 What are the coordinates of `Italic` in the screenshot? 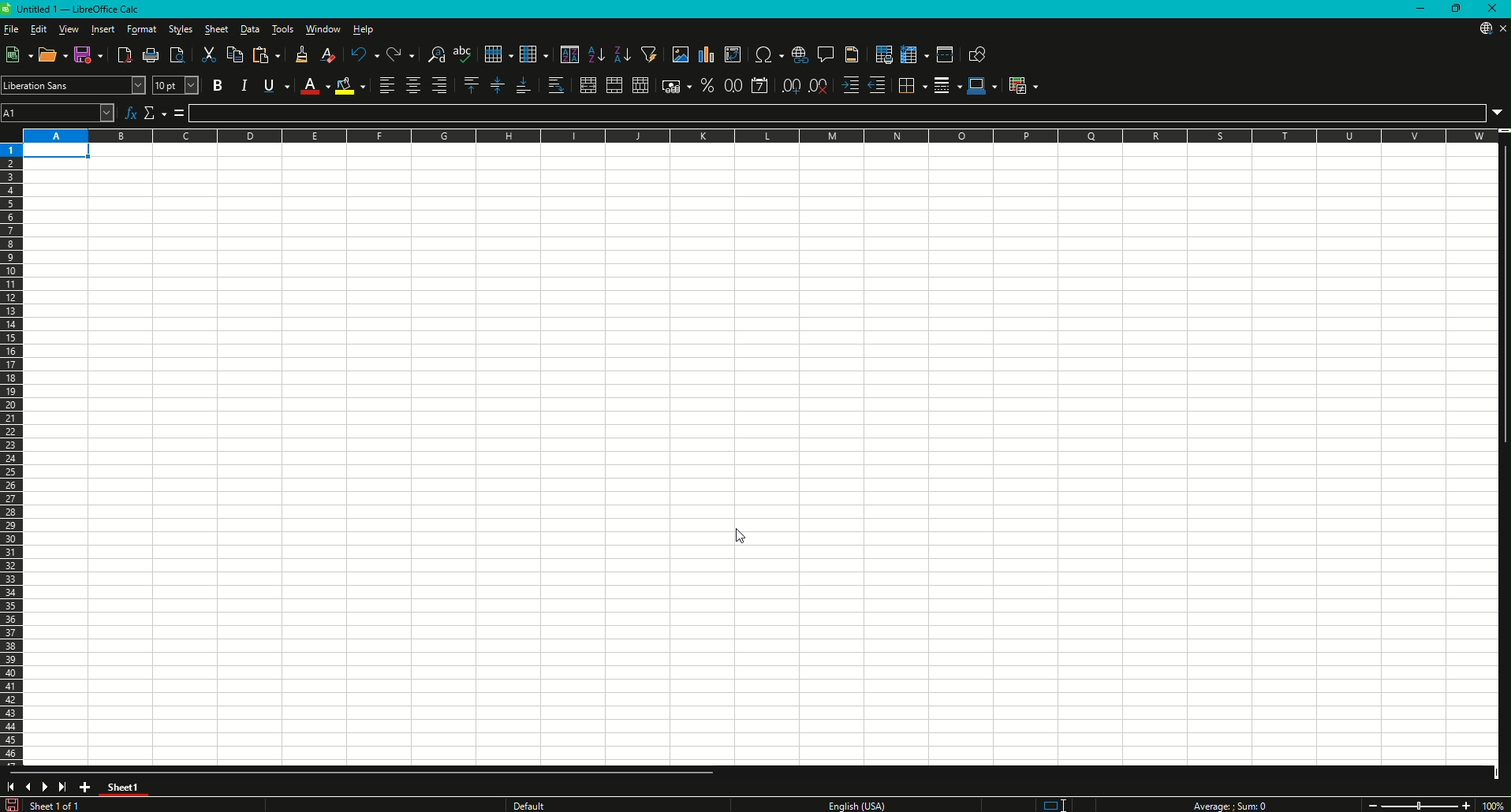 It's located at (244, 85).